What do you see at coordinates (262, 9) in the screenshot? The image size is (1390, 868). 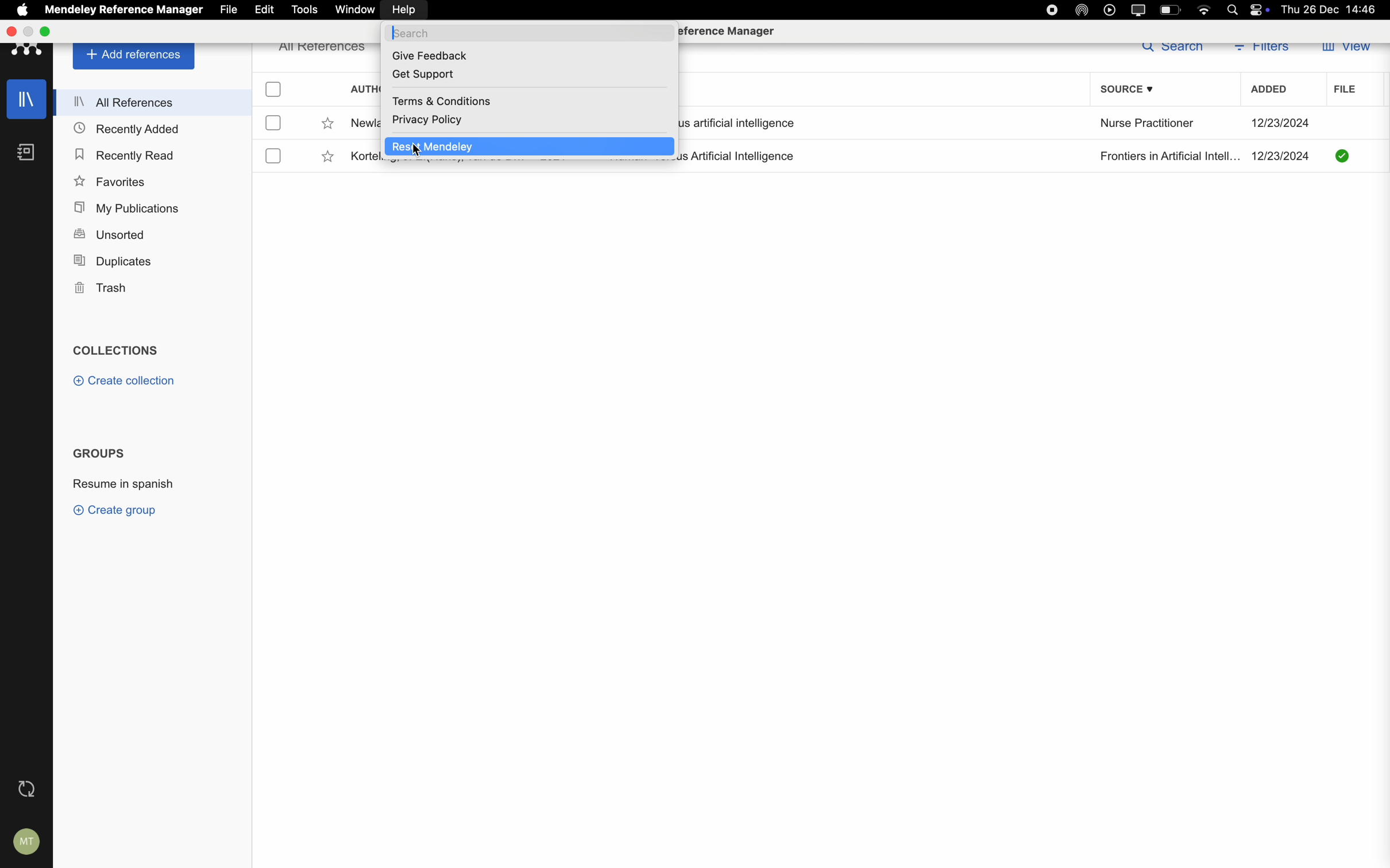 I see `edit` at bounding box center [262, 9].